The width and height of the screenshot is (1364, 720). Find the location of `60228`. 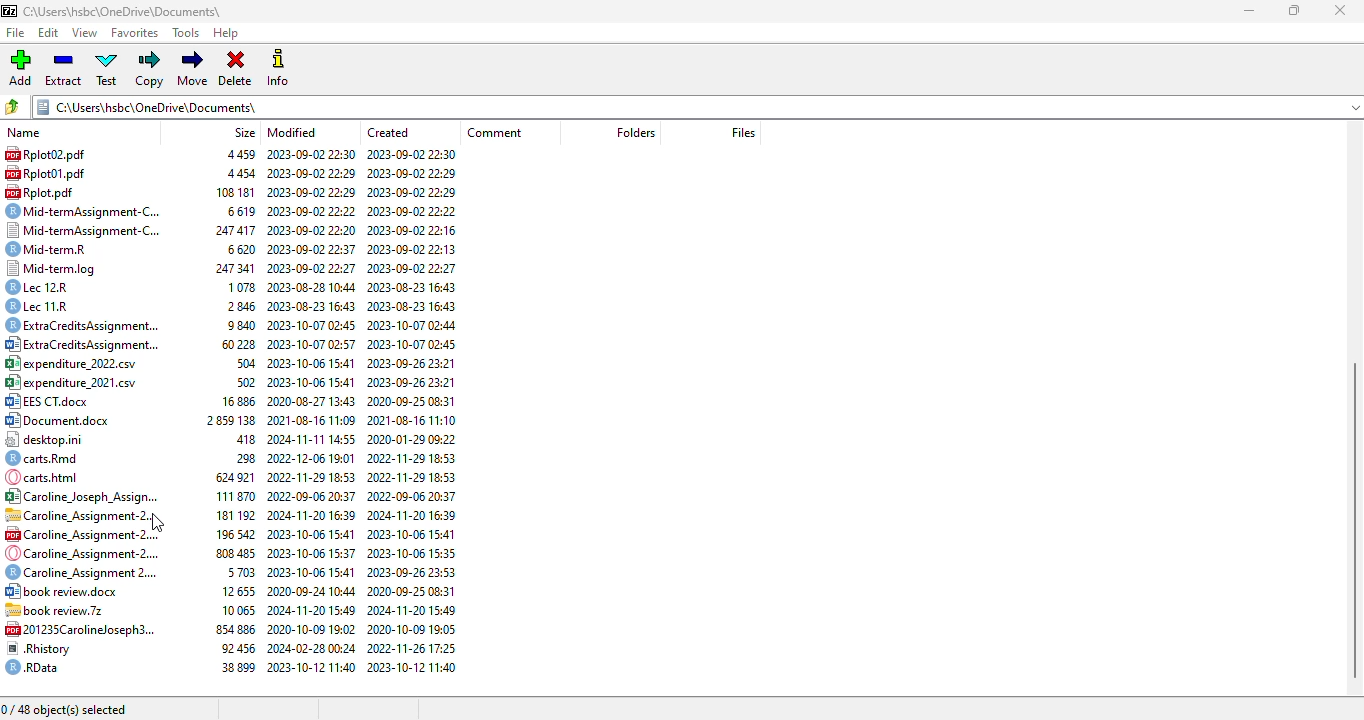

60228 is located at coordinates (236, 345).